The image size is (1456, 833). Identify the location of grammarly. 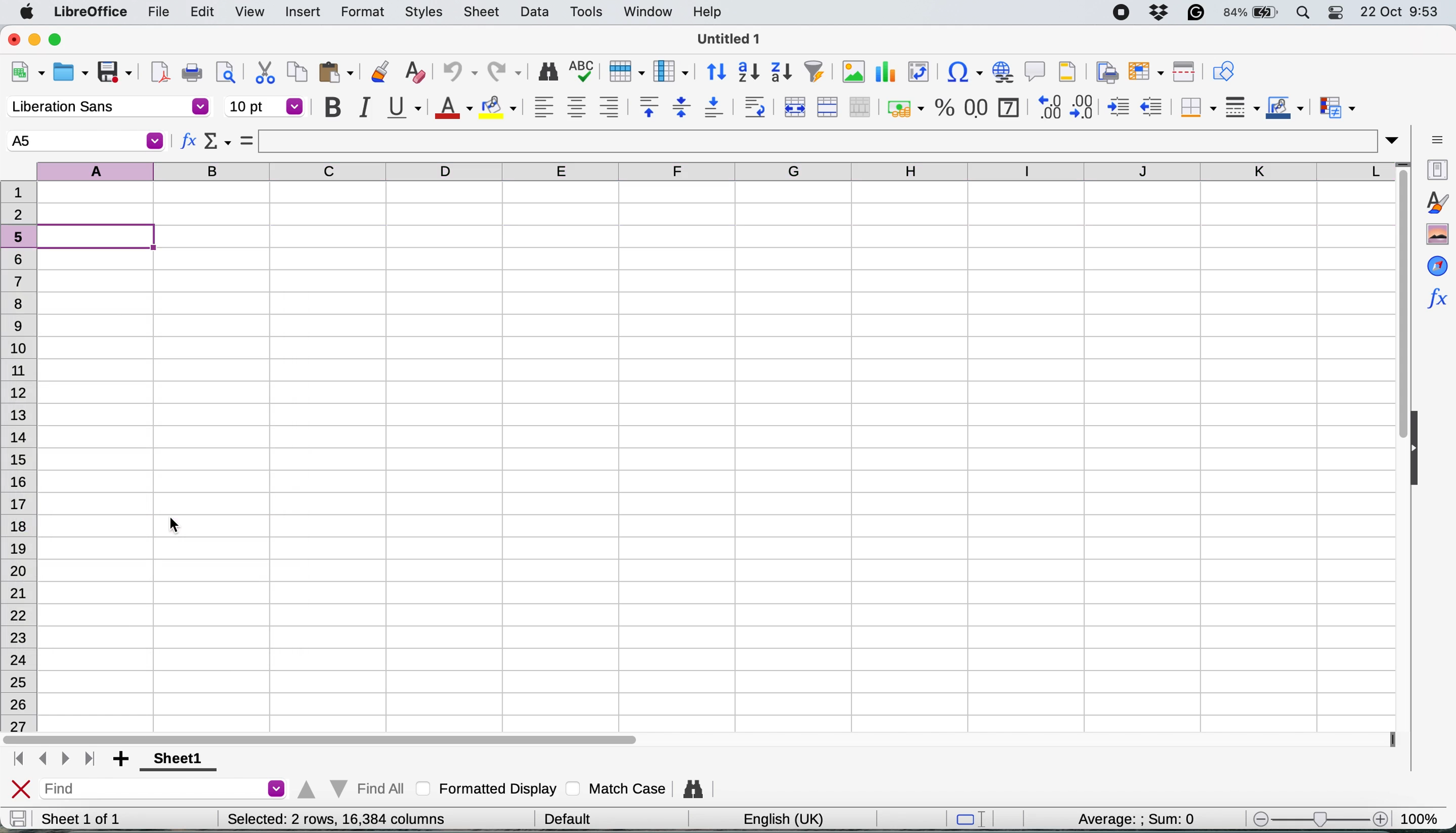
(1198, 12).